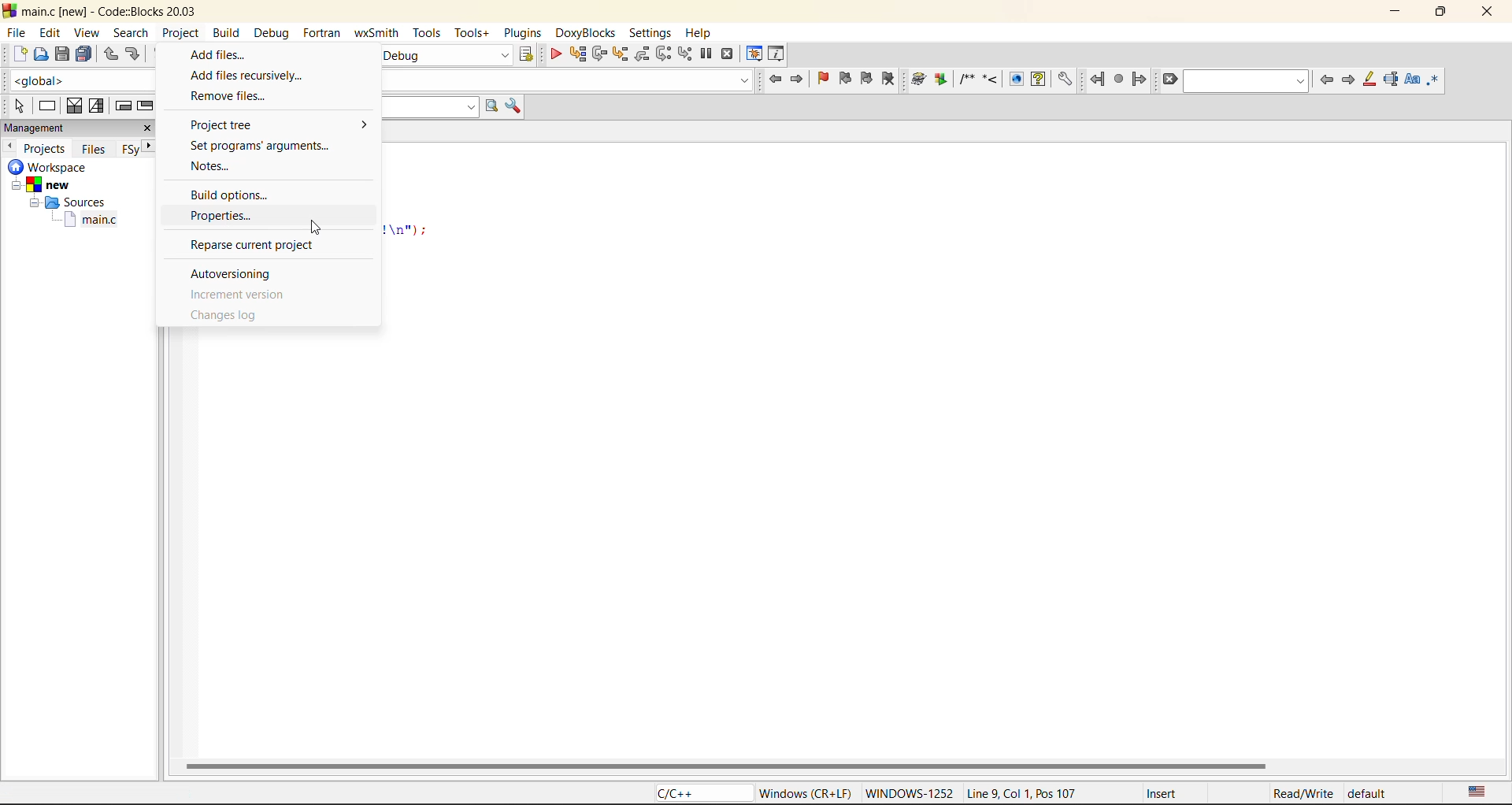 The height and width of the screenshot is (805, 1512). I want to click on clear, so click(1172, 81).